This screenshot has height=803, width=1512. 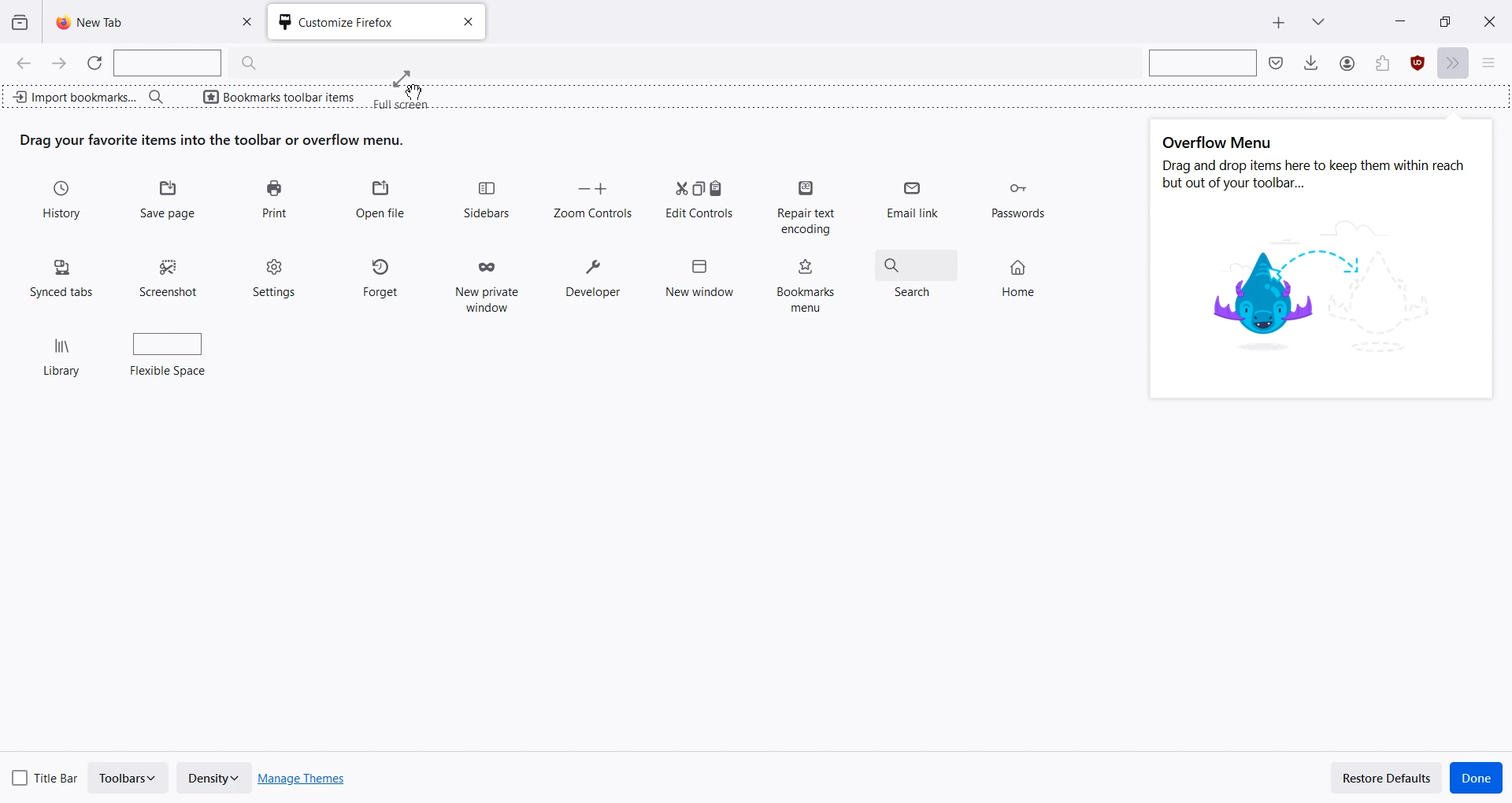 I want to click on Open Application menu, so click(x=1495, y=64).